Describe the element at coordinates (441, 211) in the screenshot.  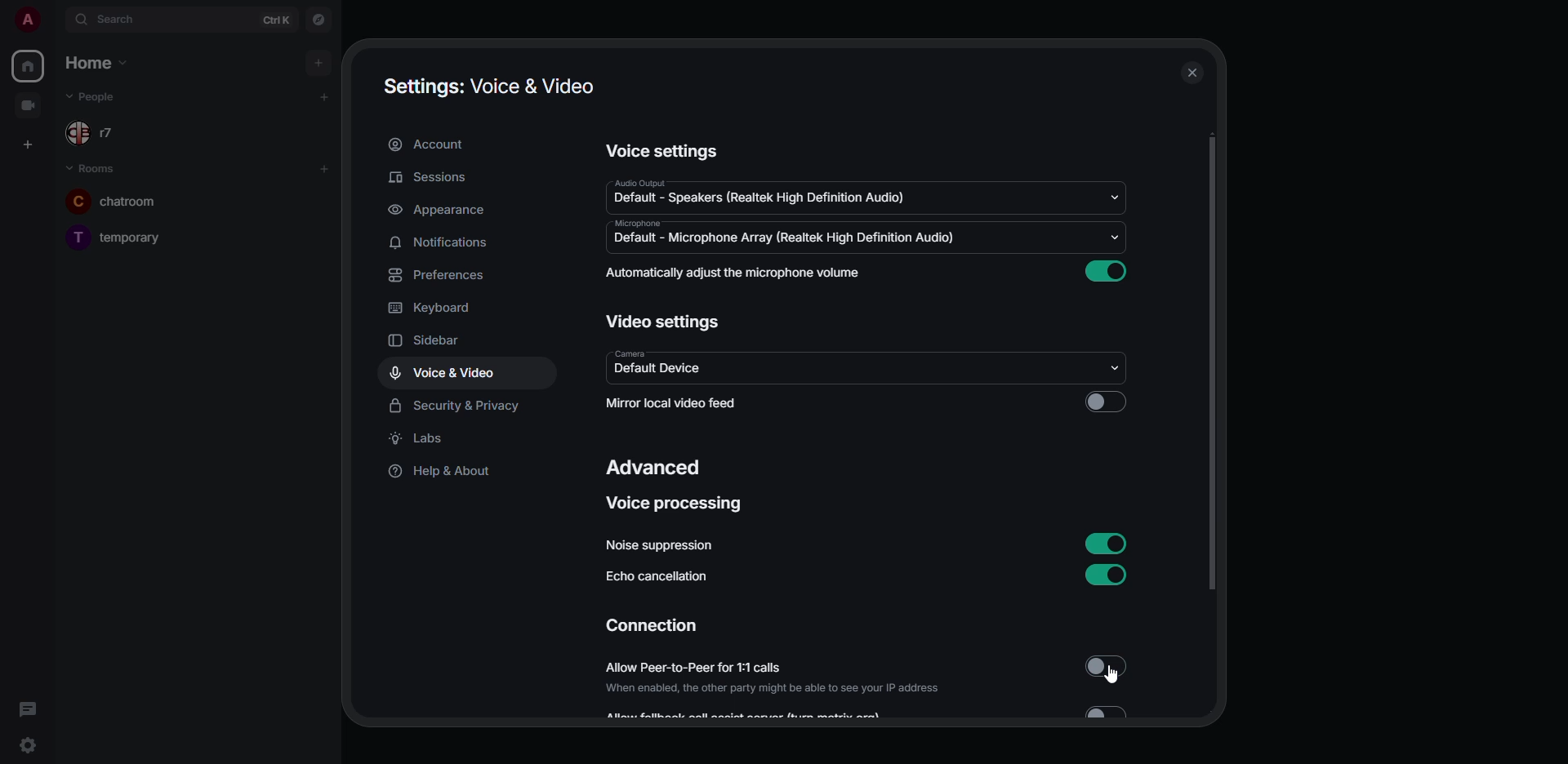
I see `appearance` at that location.